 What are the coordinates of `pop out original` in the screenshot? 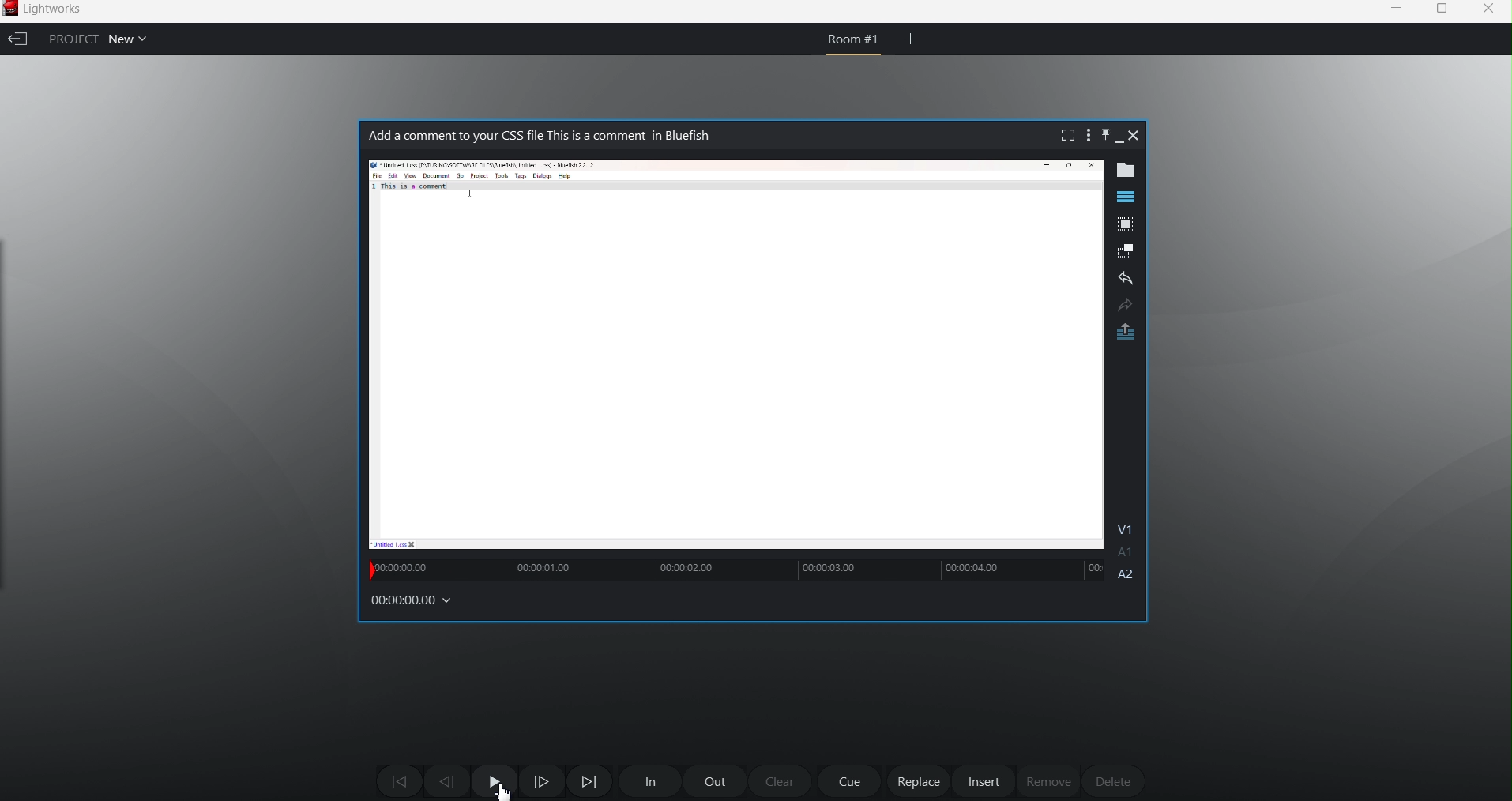 It's located at (1126, 333).